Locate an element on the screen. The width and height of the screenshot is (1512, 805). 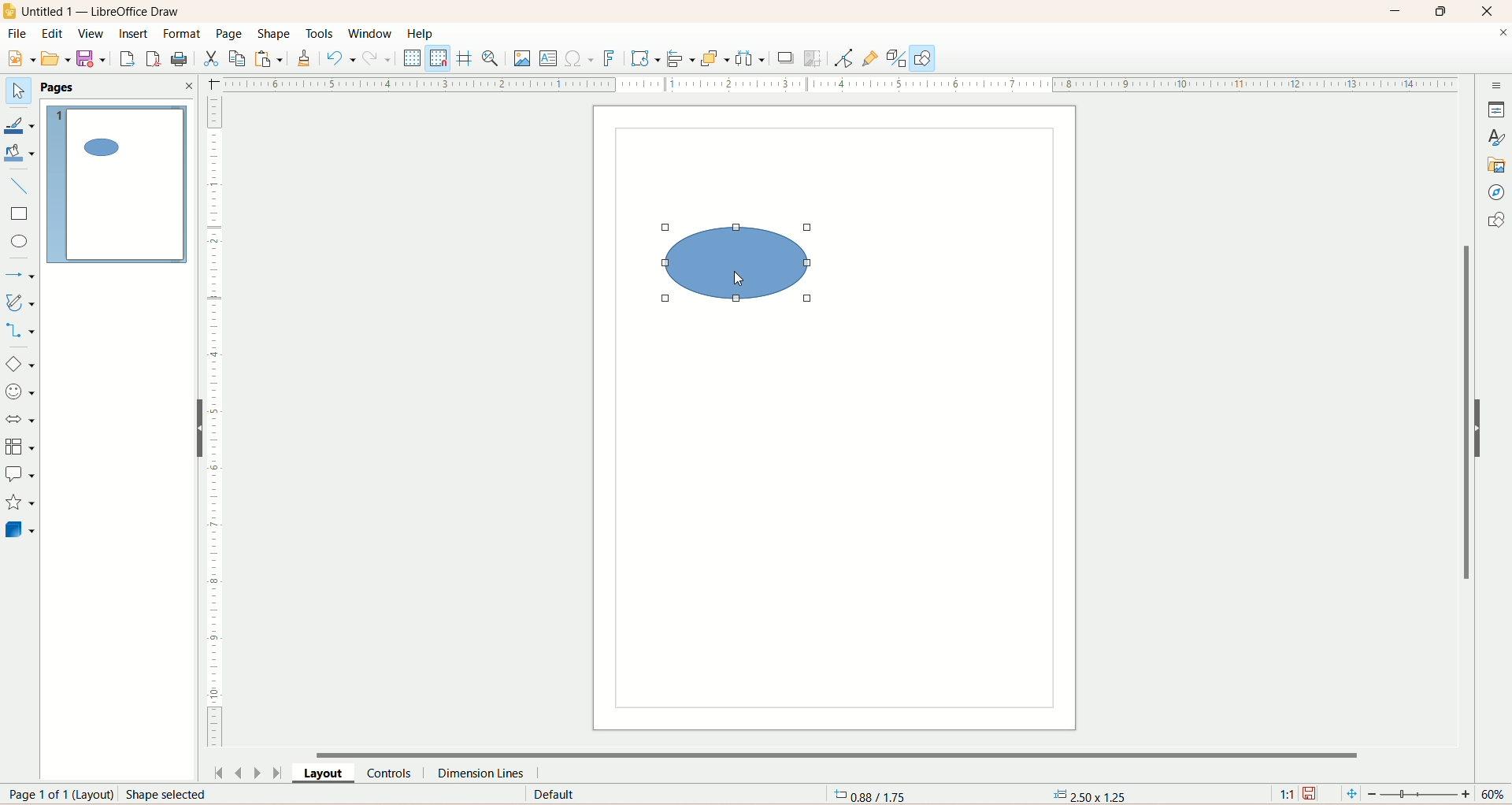
first page is located at coordinates (218, 770).